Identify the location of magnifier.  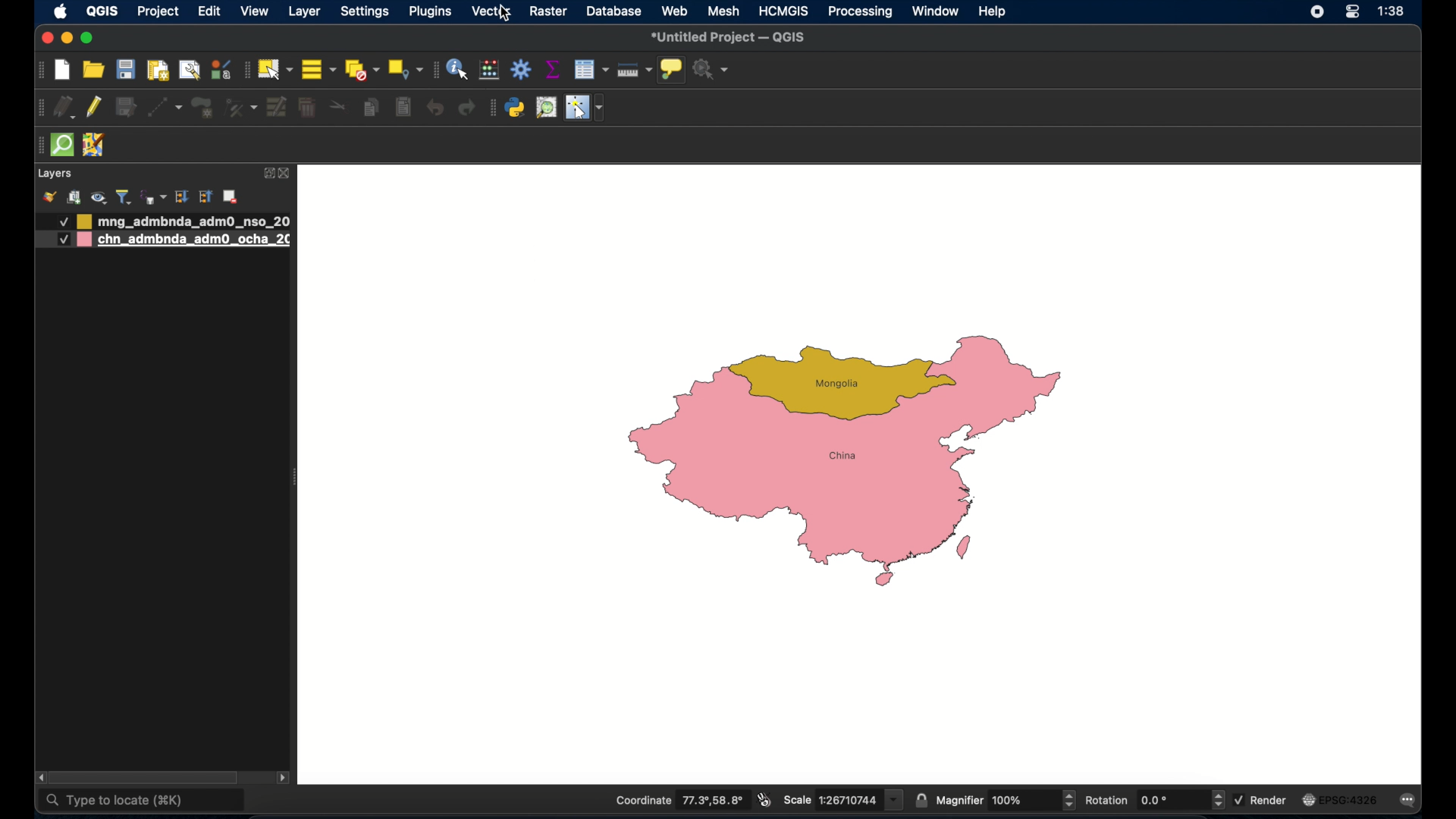
(1006, 801).